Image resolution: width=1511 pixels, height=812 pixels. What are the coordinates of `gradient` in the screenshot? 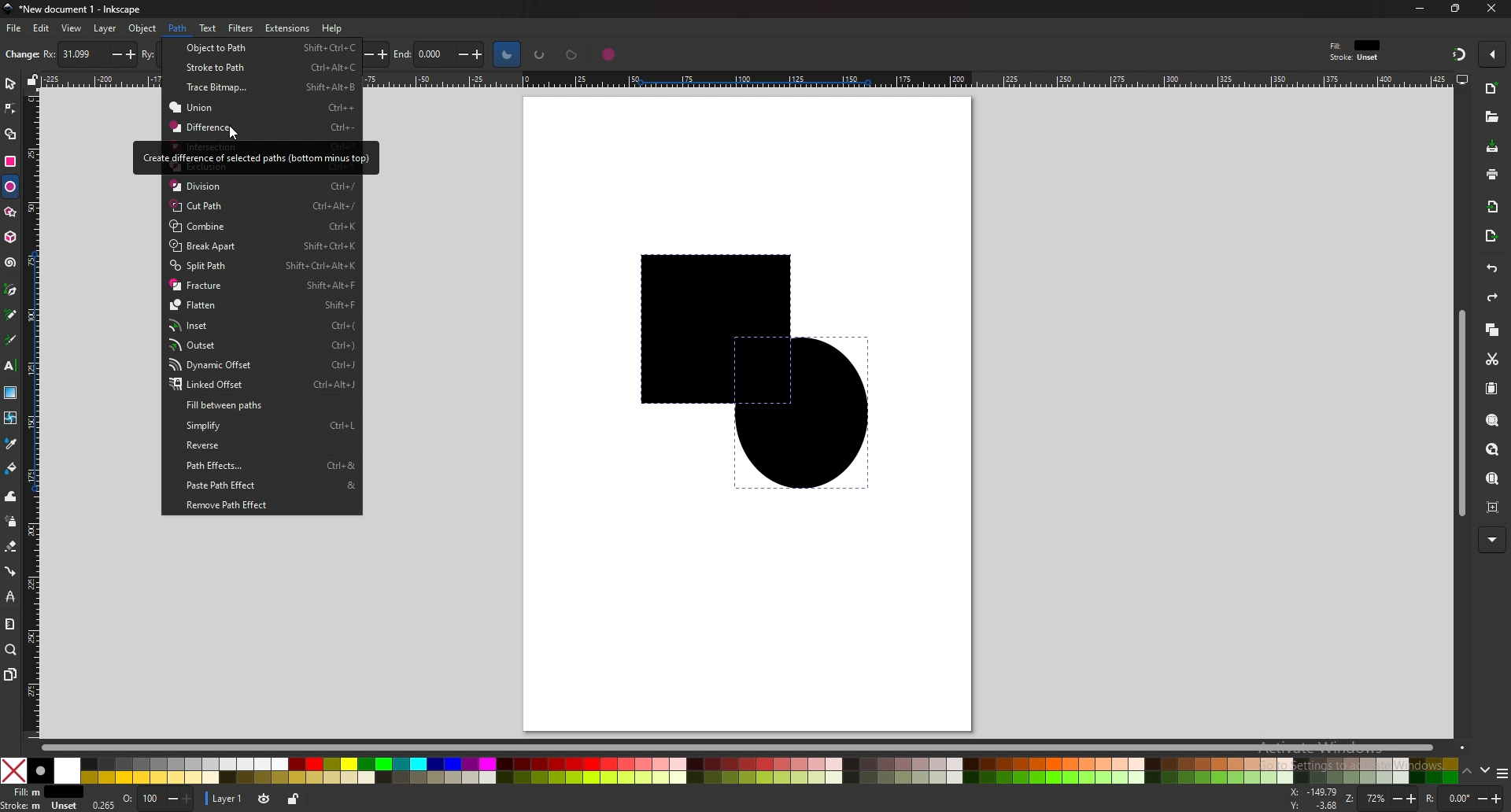 It's located at (10, 393).